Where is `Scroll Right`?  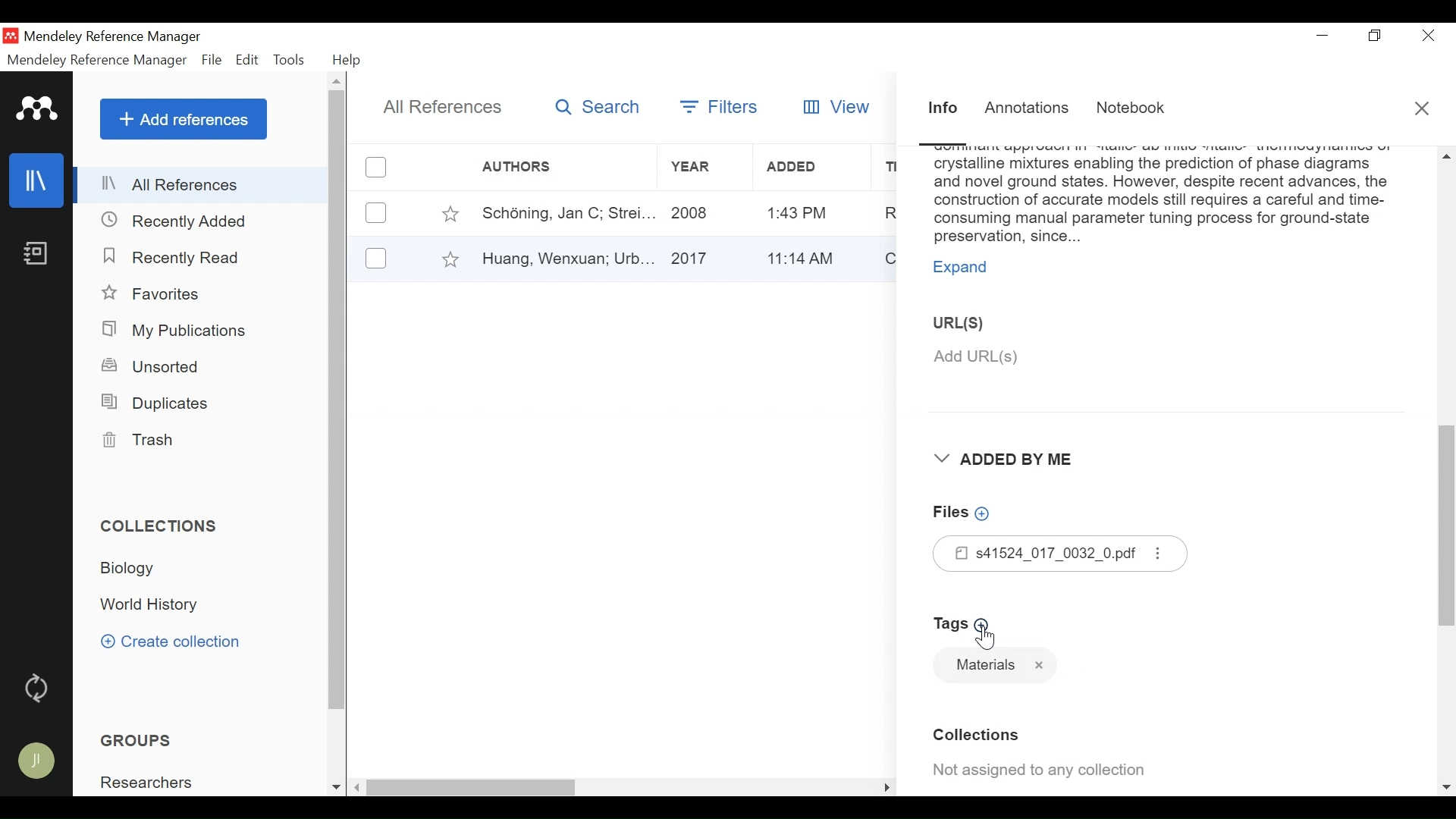
Scroll Right is located at coordinates (887, 787).